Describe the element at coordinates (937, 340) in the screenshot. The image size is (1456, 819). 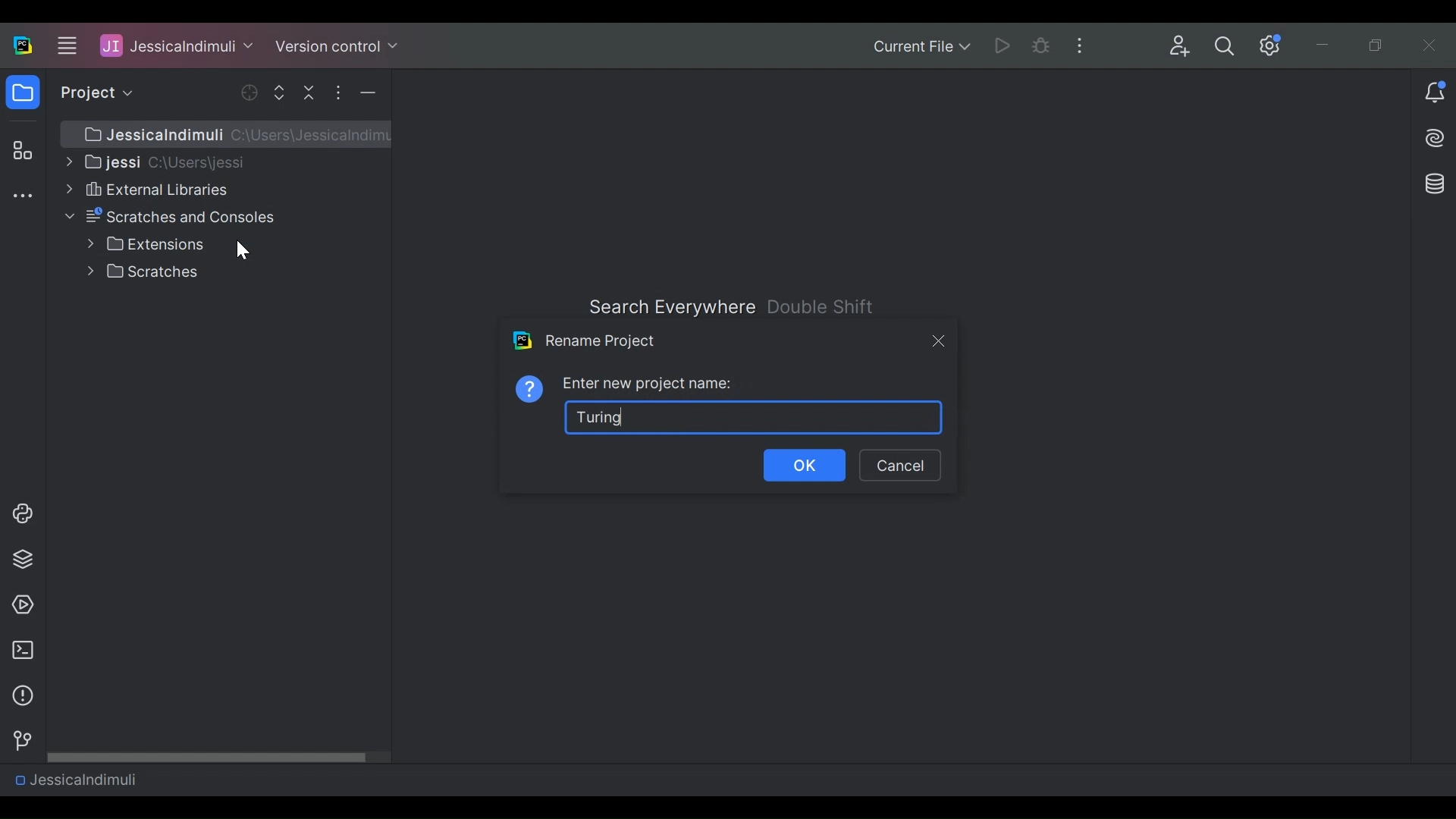
I see `Close` at that location.